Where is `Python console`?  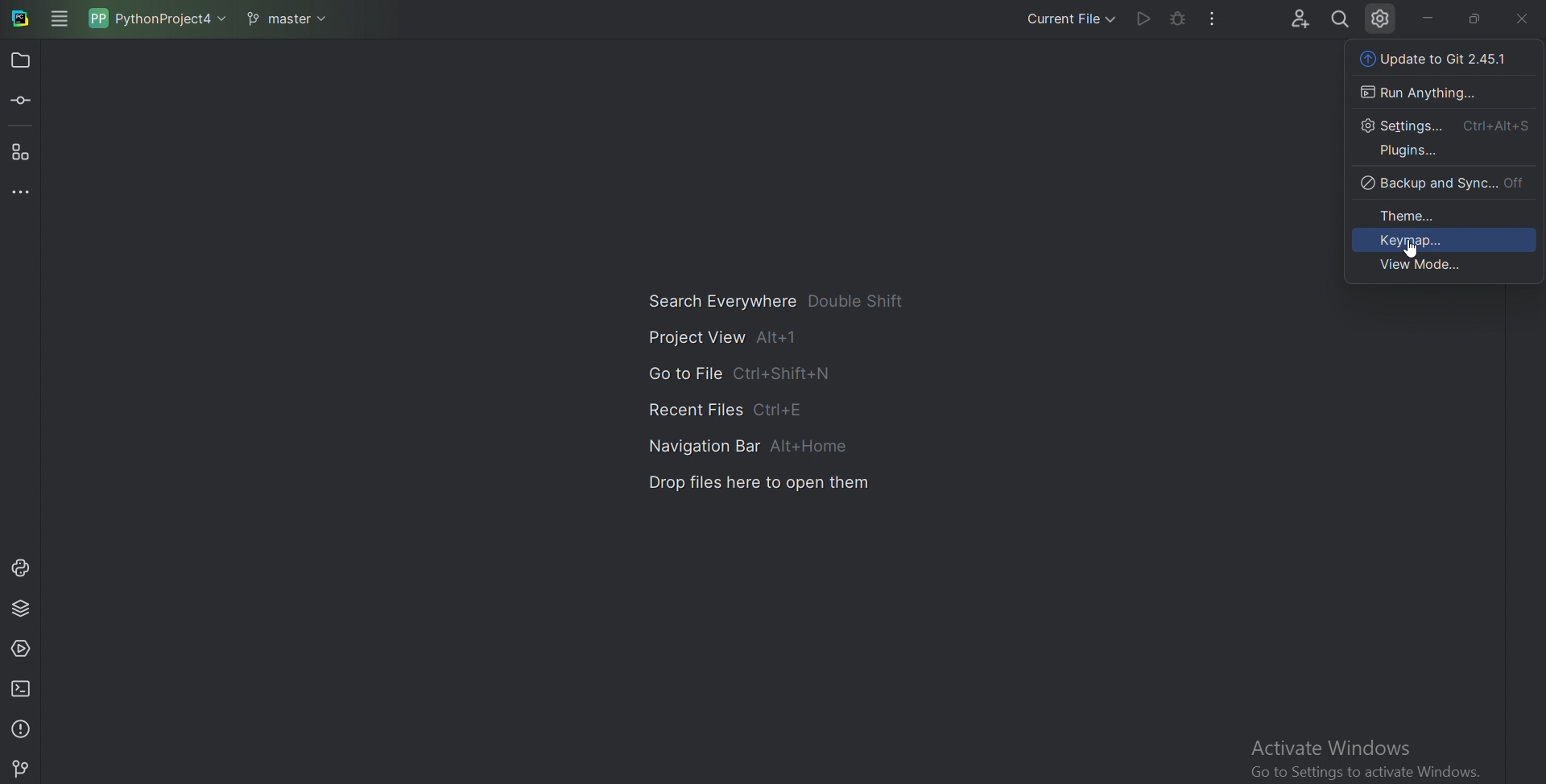
Python console is located at coordinates (22, 567).